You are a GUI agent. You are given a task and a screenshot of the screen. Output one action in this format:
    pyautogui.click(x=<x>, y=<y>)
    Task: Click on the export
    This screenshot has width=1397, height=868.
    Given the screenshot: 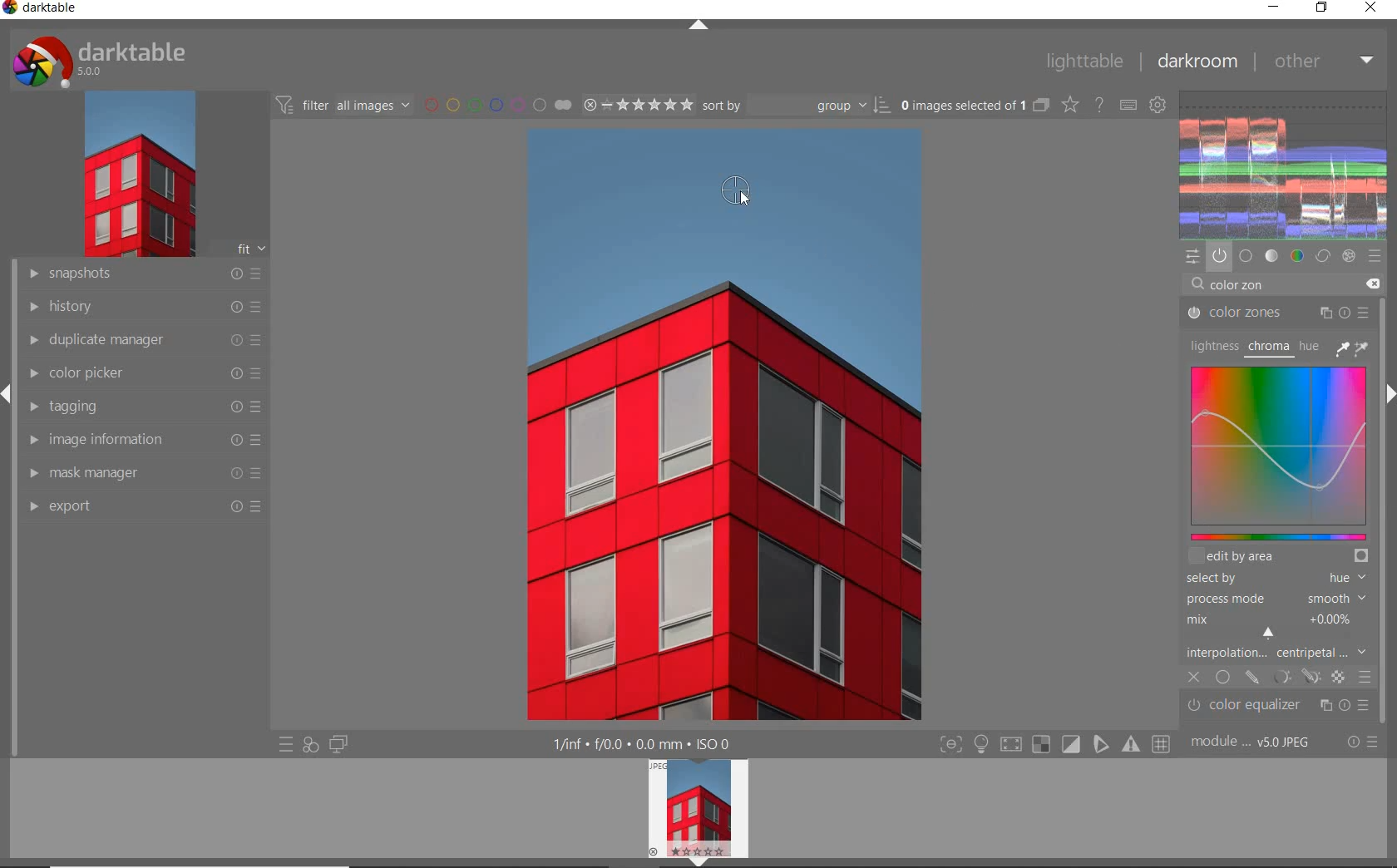 What is the action you would take?
    pyautogui.click(x=146, y=507)
    